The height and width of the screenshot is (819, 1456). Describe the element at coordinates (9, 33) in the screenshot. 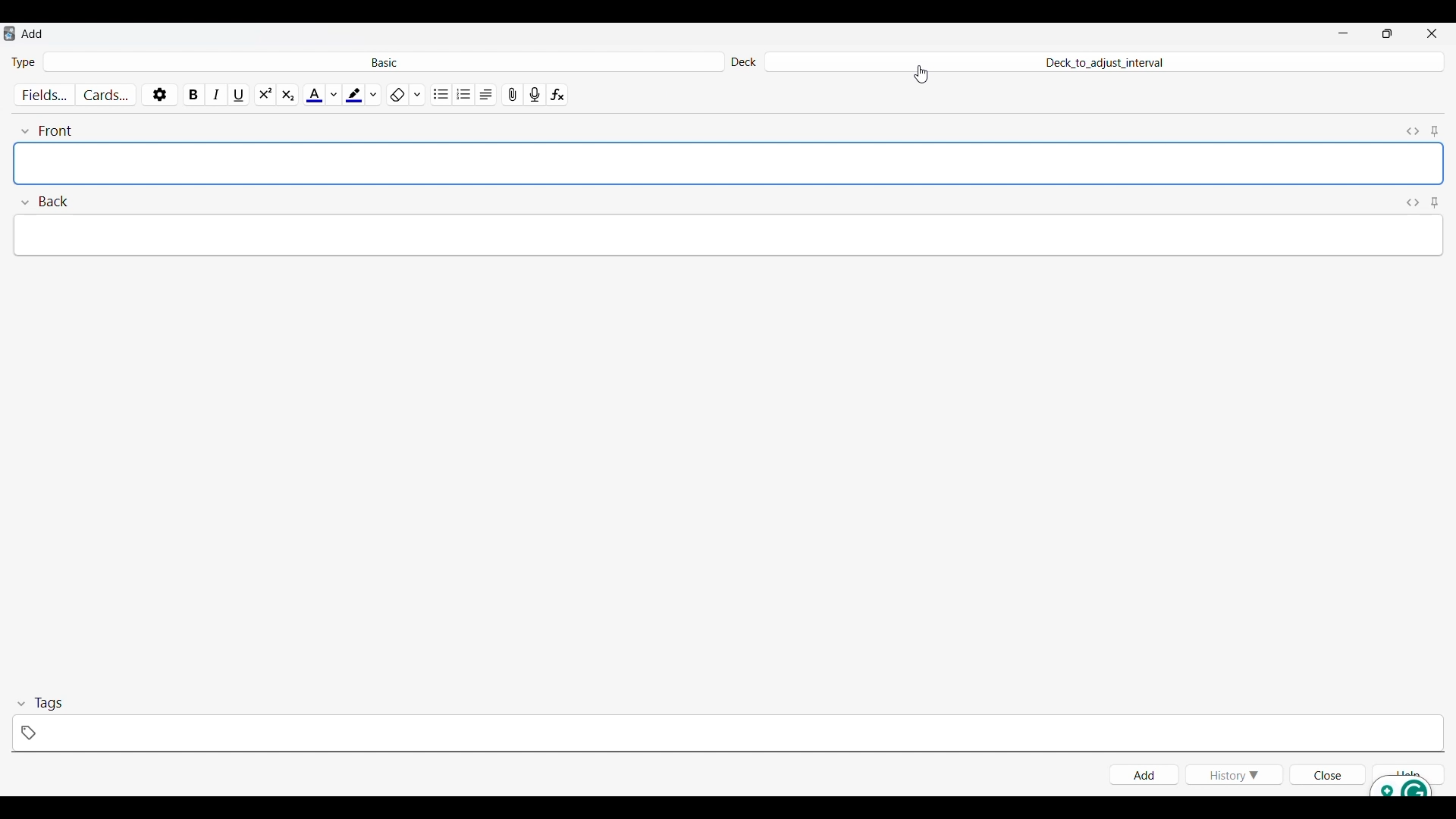

I see `Software logo` at that location.